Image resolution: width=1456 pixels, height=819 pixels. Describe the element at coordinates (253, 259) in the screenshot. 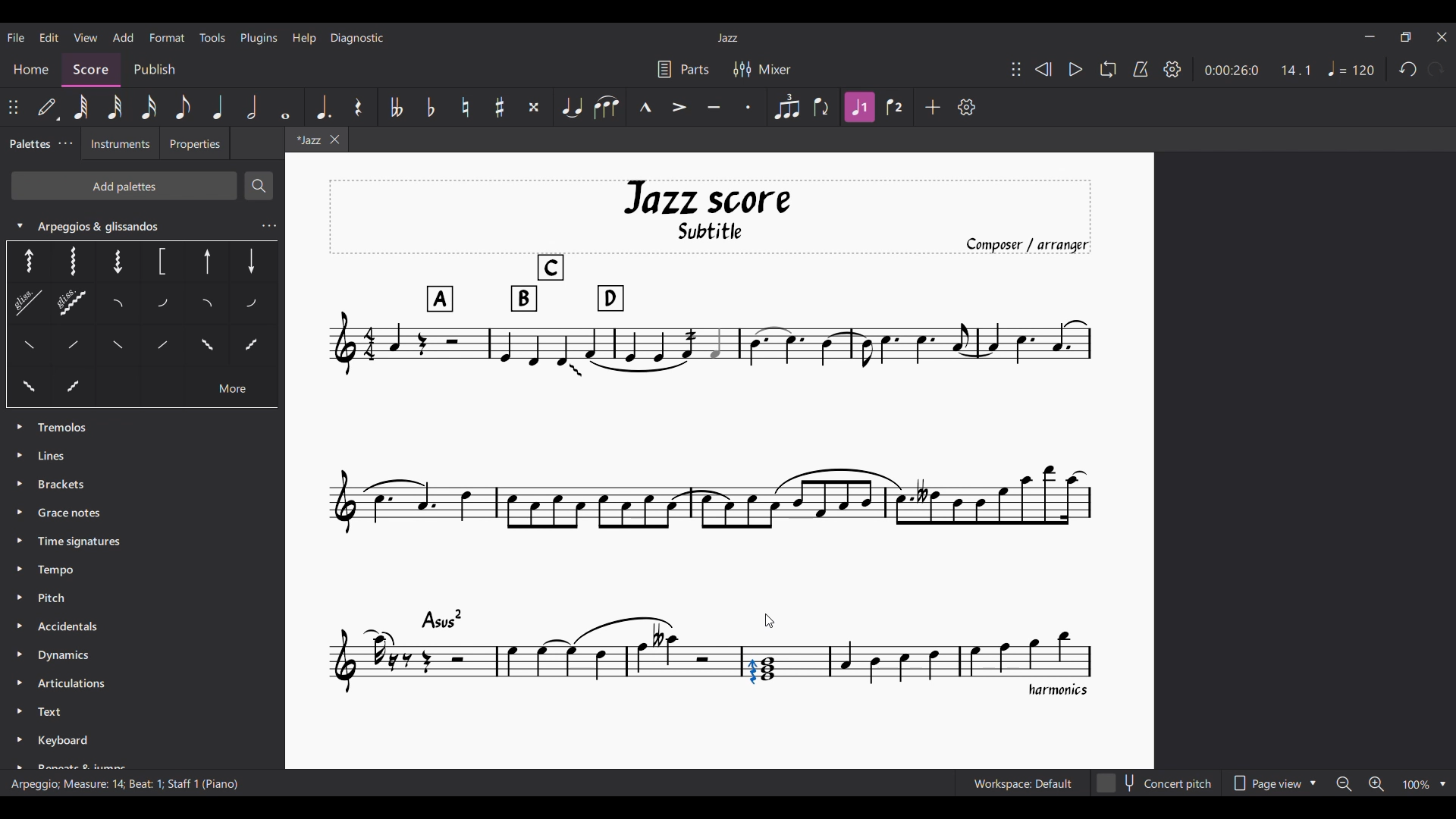

I see `` at that location.